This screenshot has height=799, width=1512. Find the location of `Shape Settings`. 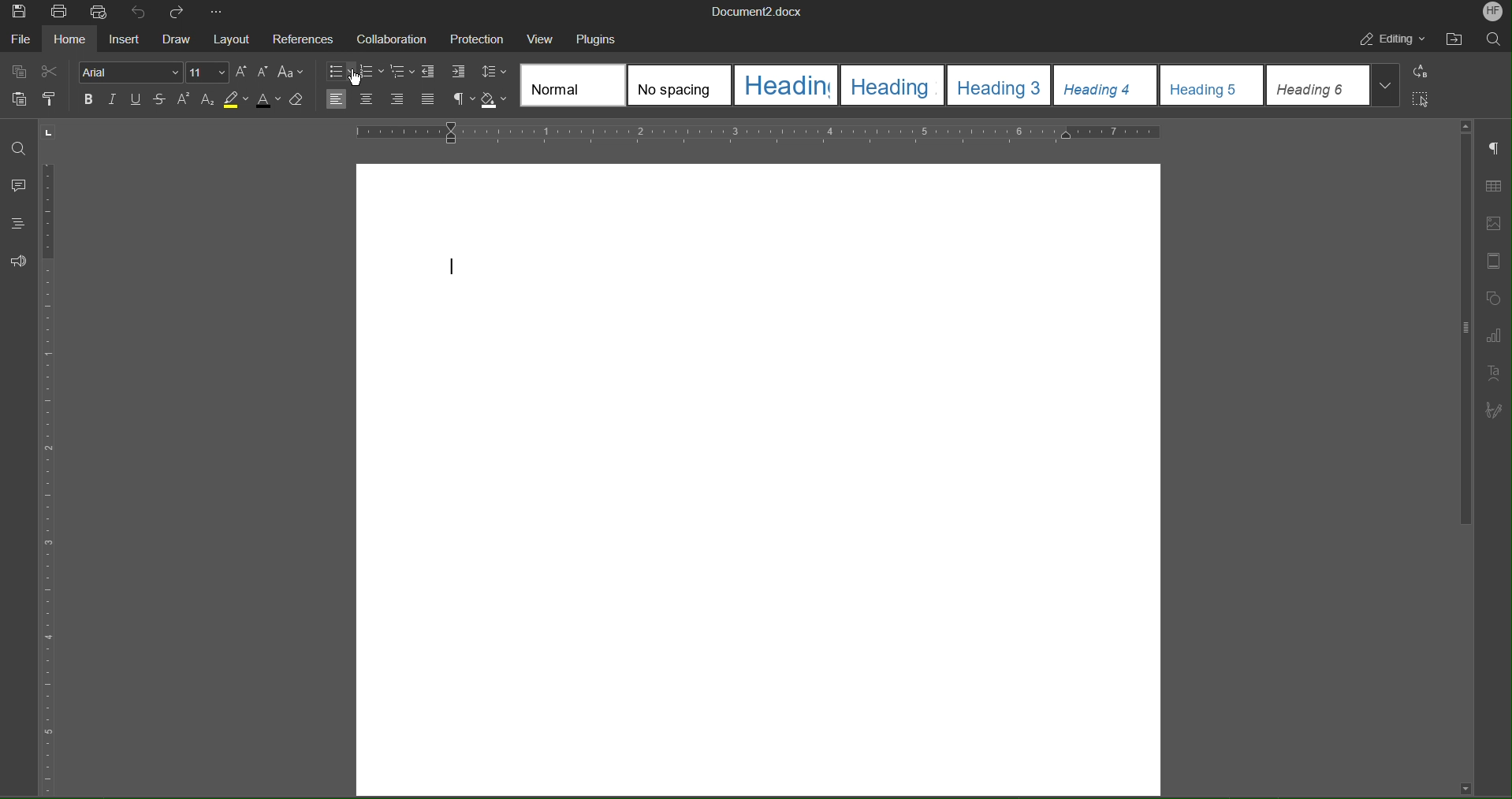

Shape Settings is located at coordinates (1489, 297).